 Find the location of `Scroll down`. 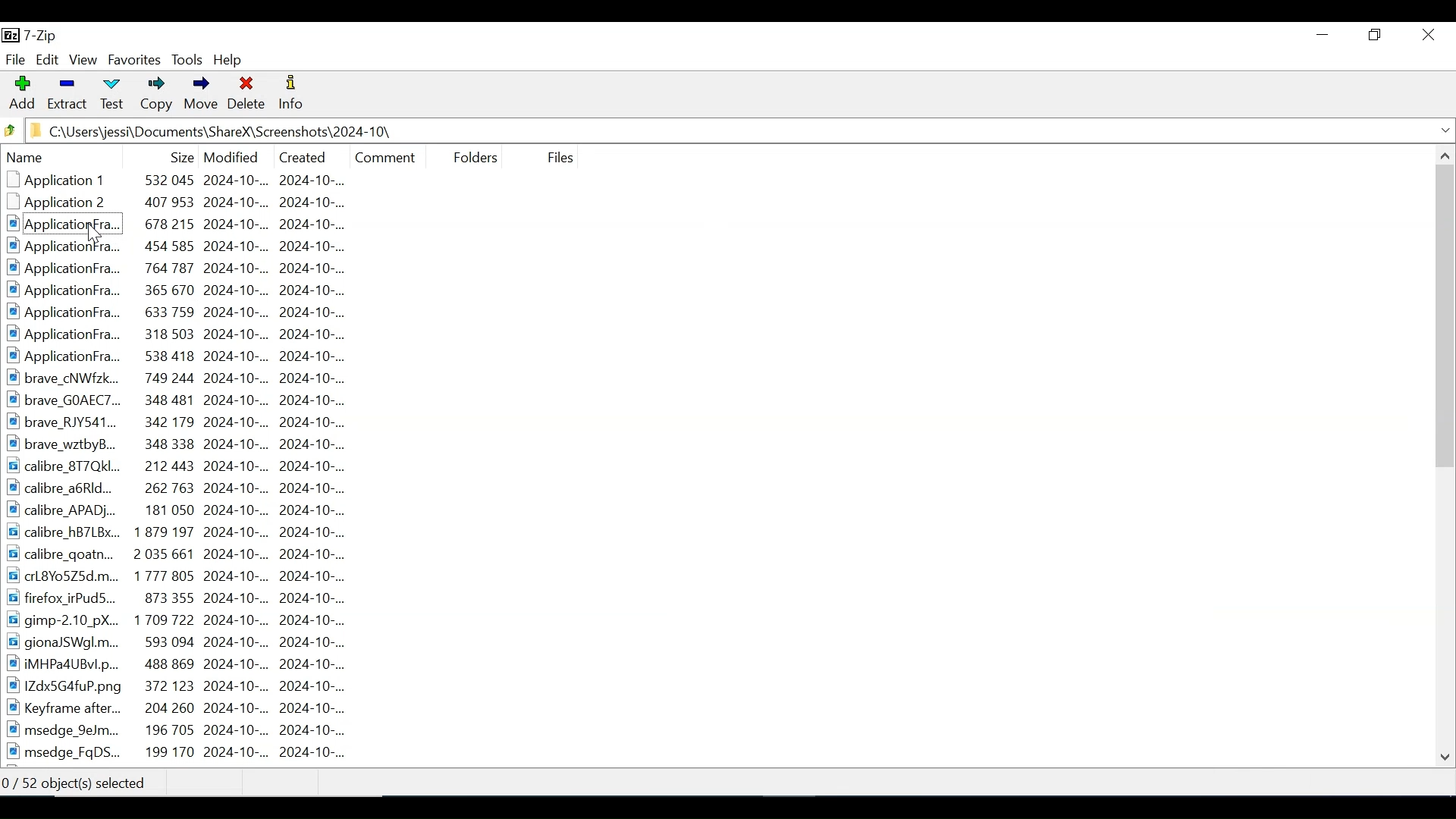

Scroll down is located at coordinates (1446, 755).